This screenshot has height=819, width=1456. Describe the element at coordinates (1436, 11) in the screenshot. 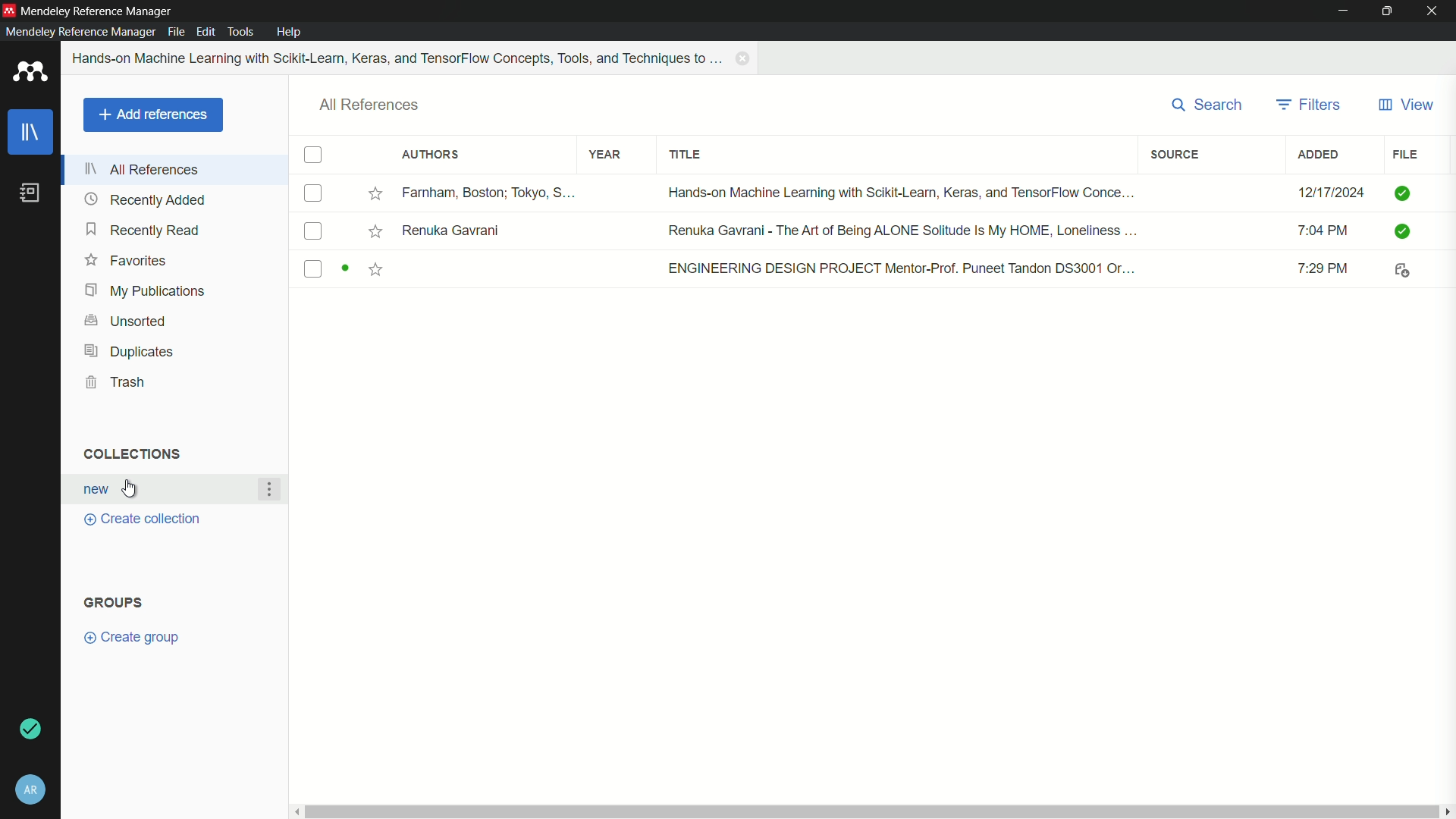

I see `close` at that location.